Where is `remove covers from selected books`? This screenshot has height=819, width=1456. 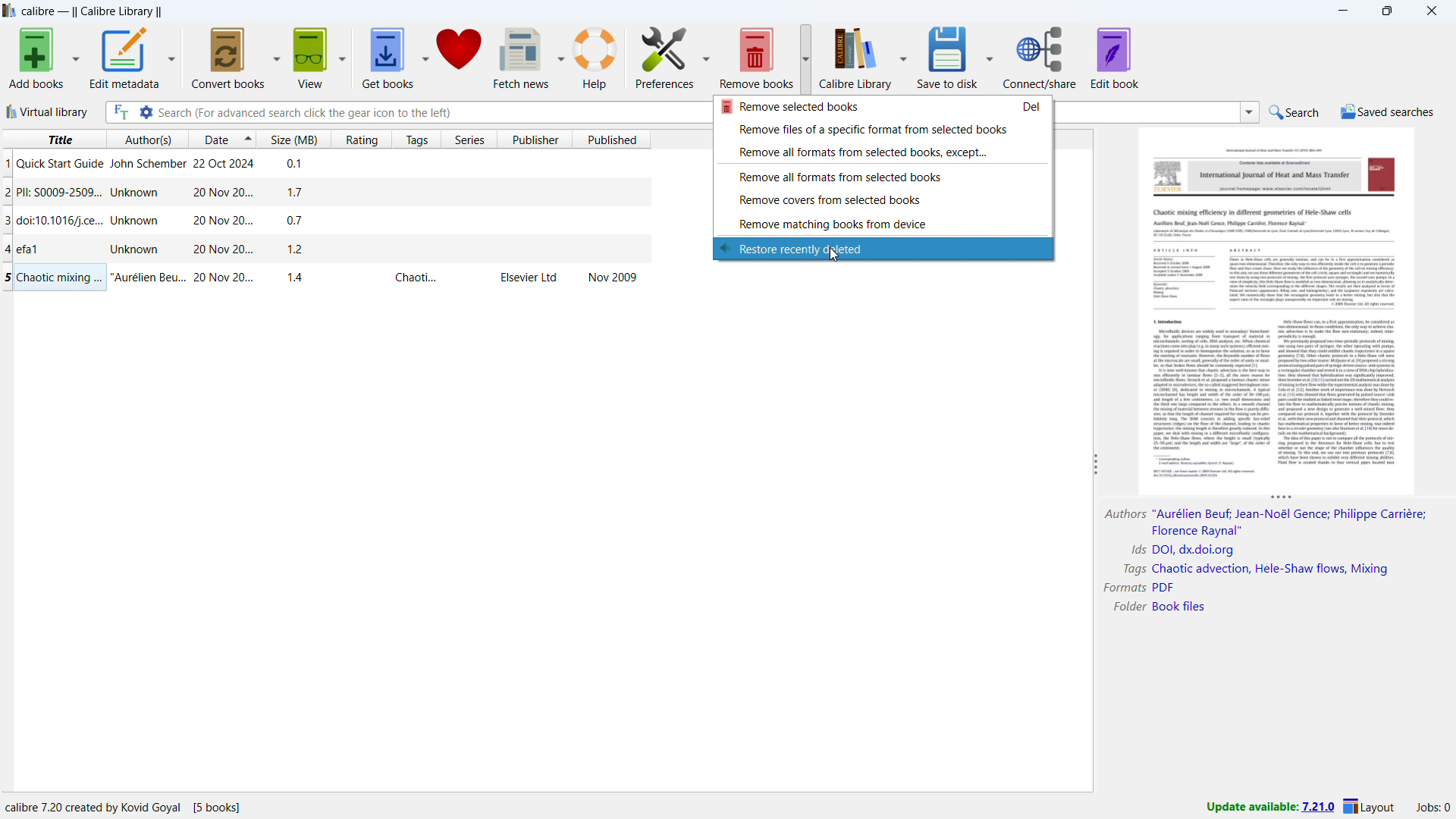 remove covers from selected books is located at coordinates (881, 200).